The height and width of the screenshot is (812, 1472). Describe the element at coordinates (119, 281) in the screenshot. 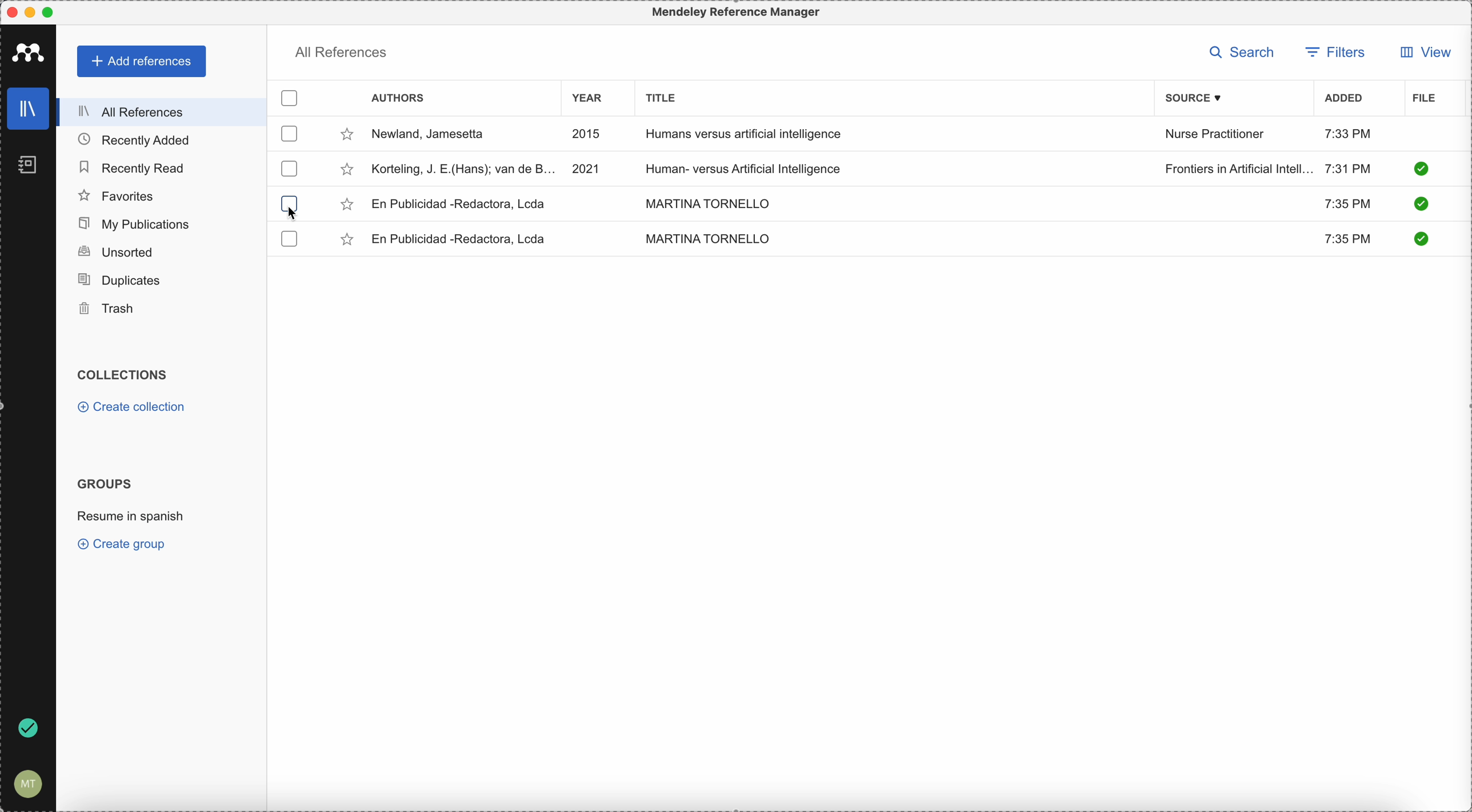

I see `duplicates` at that location.